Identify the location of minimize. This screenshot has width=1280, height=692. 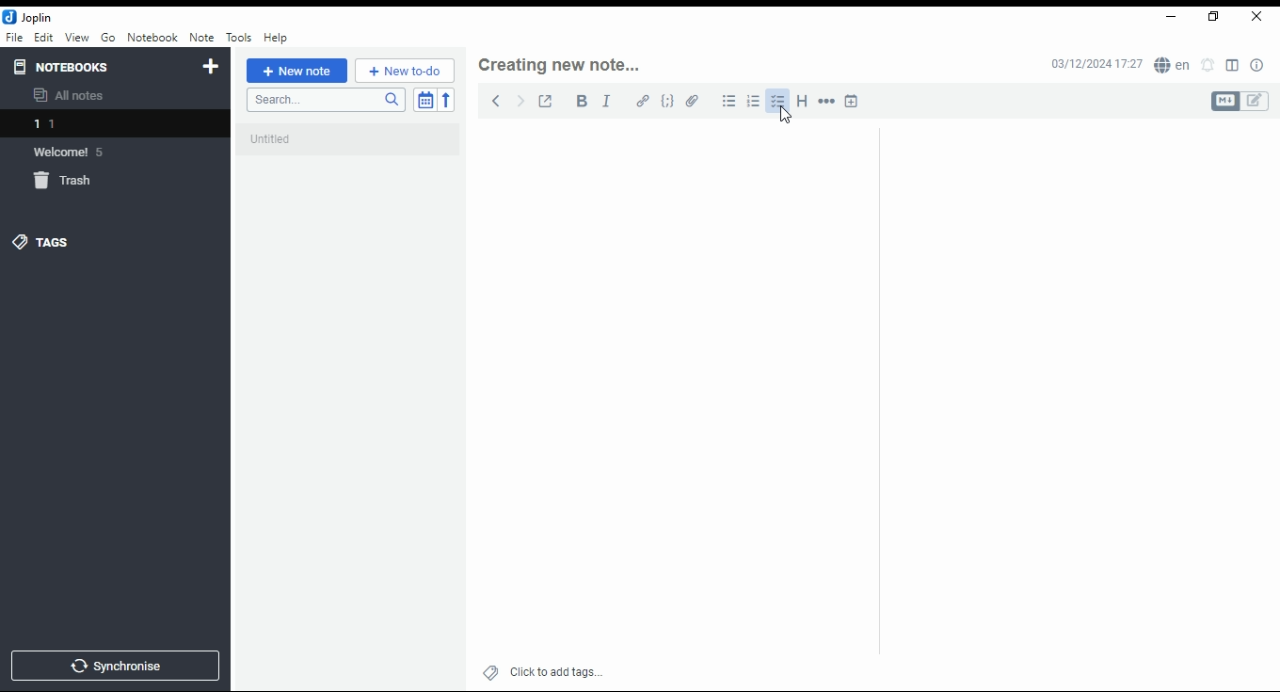
(1170, 16).